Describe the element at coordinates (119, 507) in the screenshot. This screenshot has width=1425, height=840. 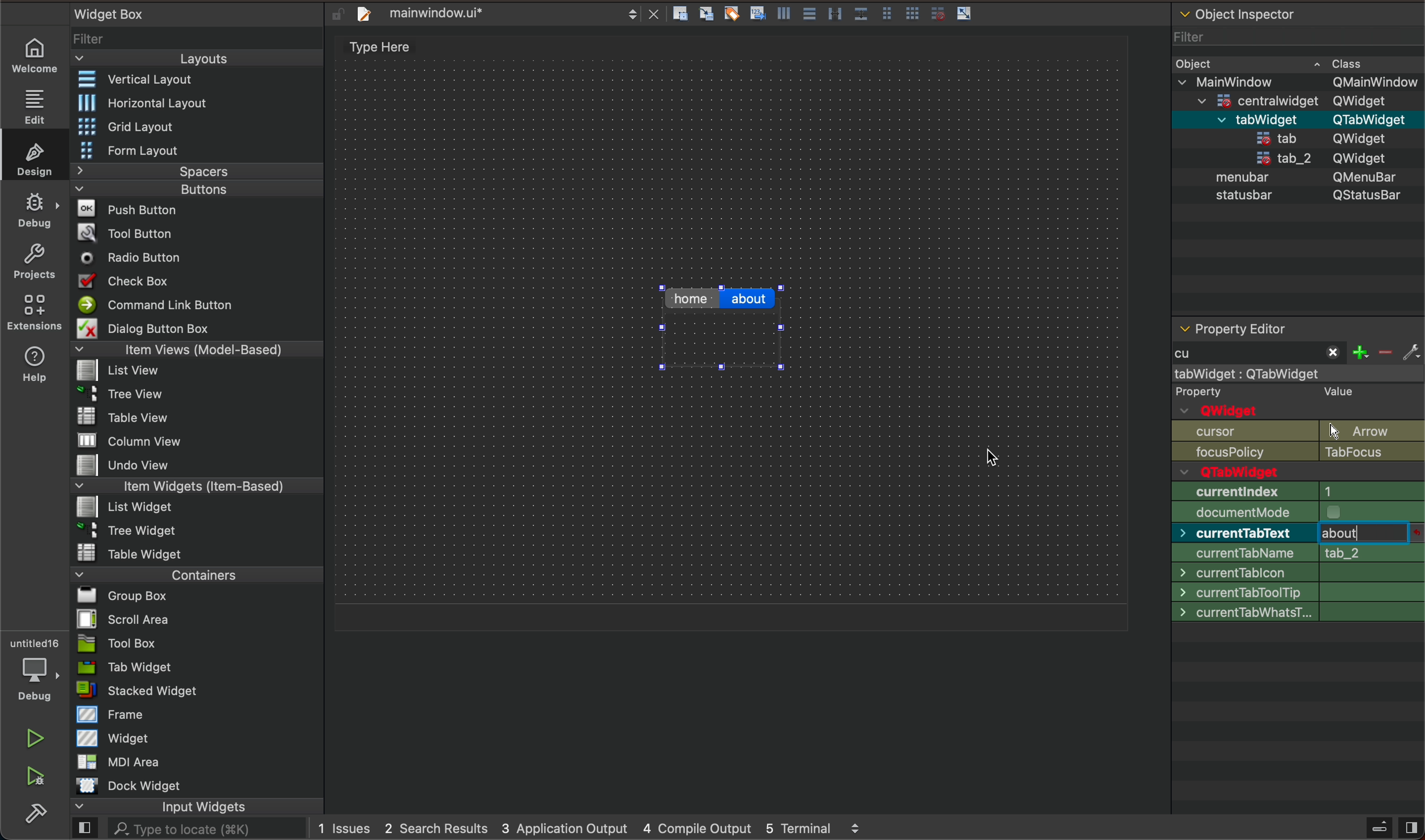
I see `List widget` at that location.